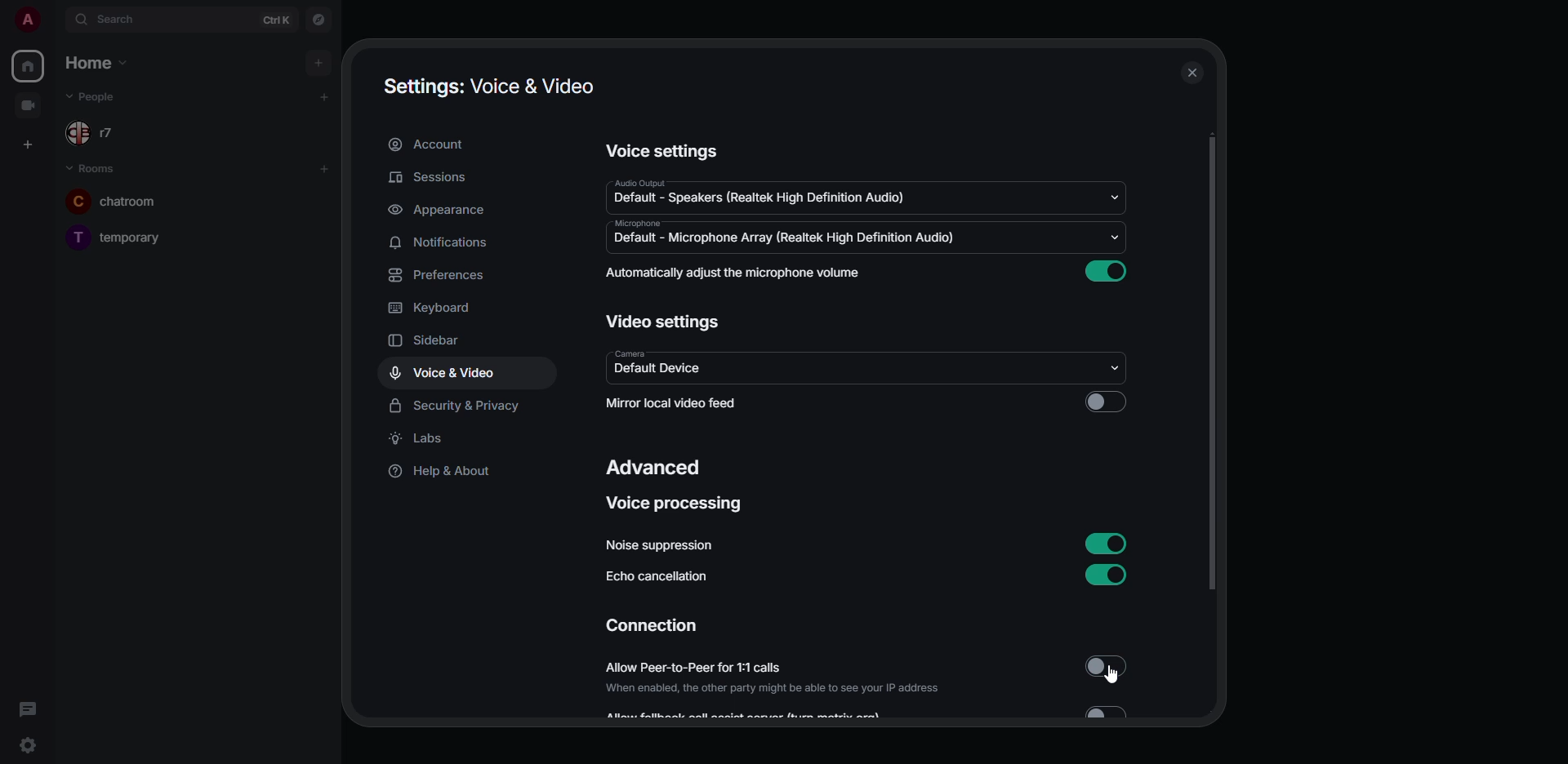 The width and height of the screenshot is (1568, 764). Describe the element at coordinates (1103, 574) in the screenshot. I see `enabled` at that location.